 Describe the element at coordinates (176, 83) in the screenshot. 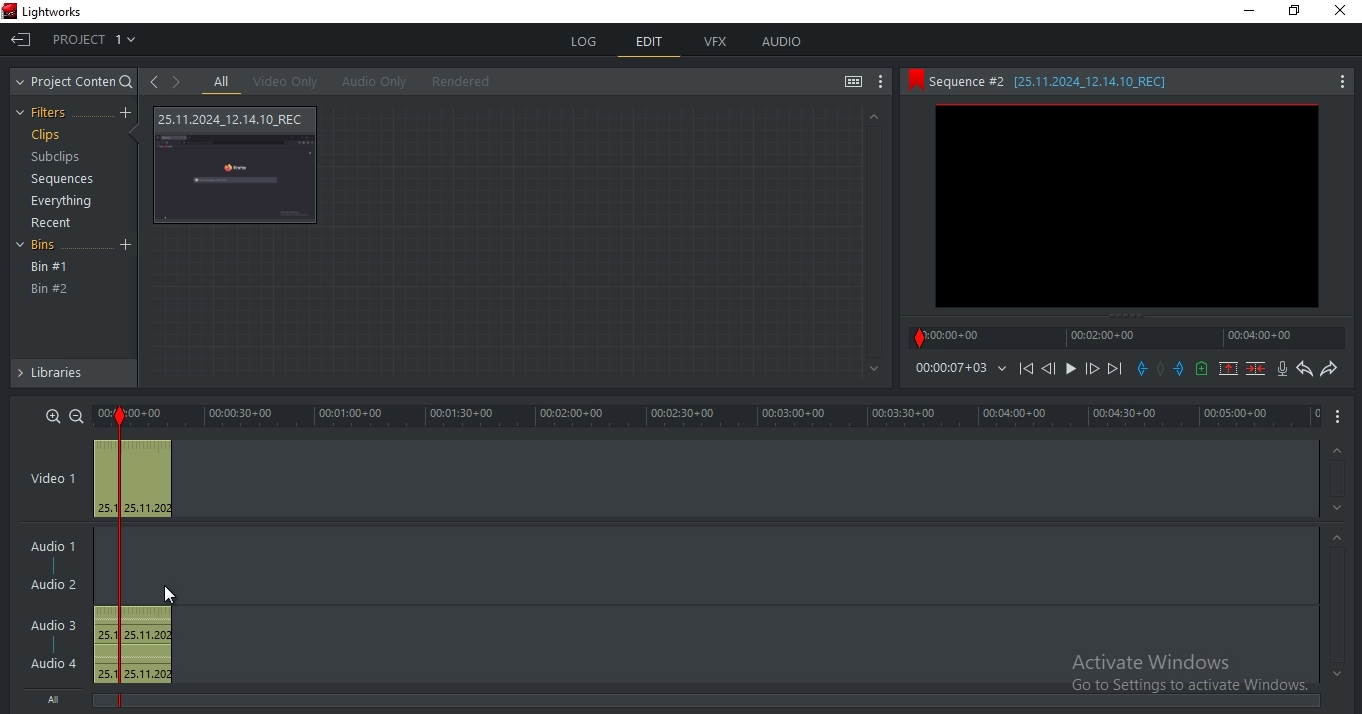

I see `` at that location.